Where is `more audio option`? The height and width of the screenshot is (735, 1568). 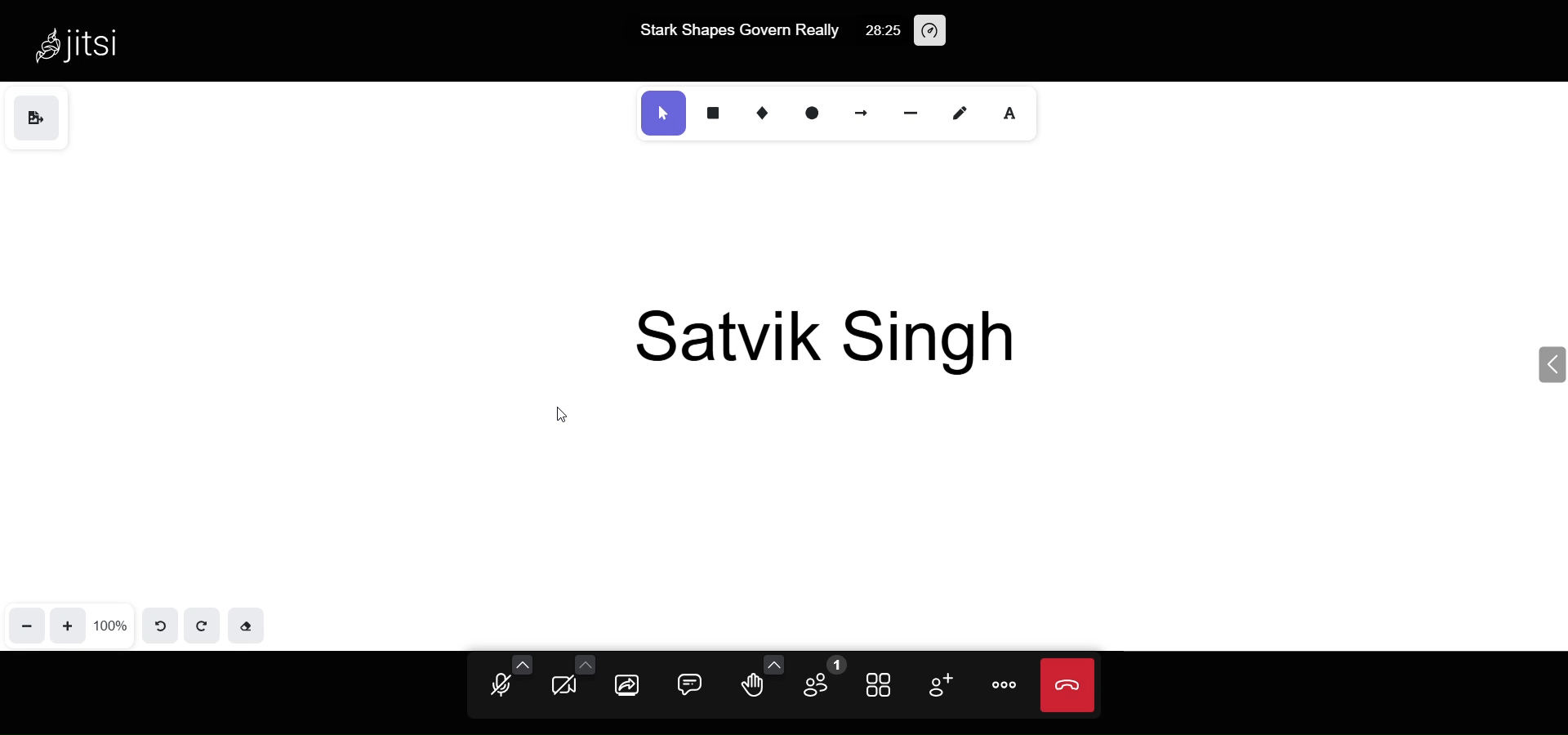
more audio option is located at coordinates (523, 664).